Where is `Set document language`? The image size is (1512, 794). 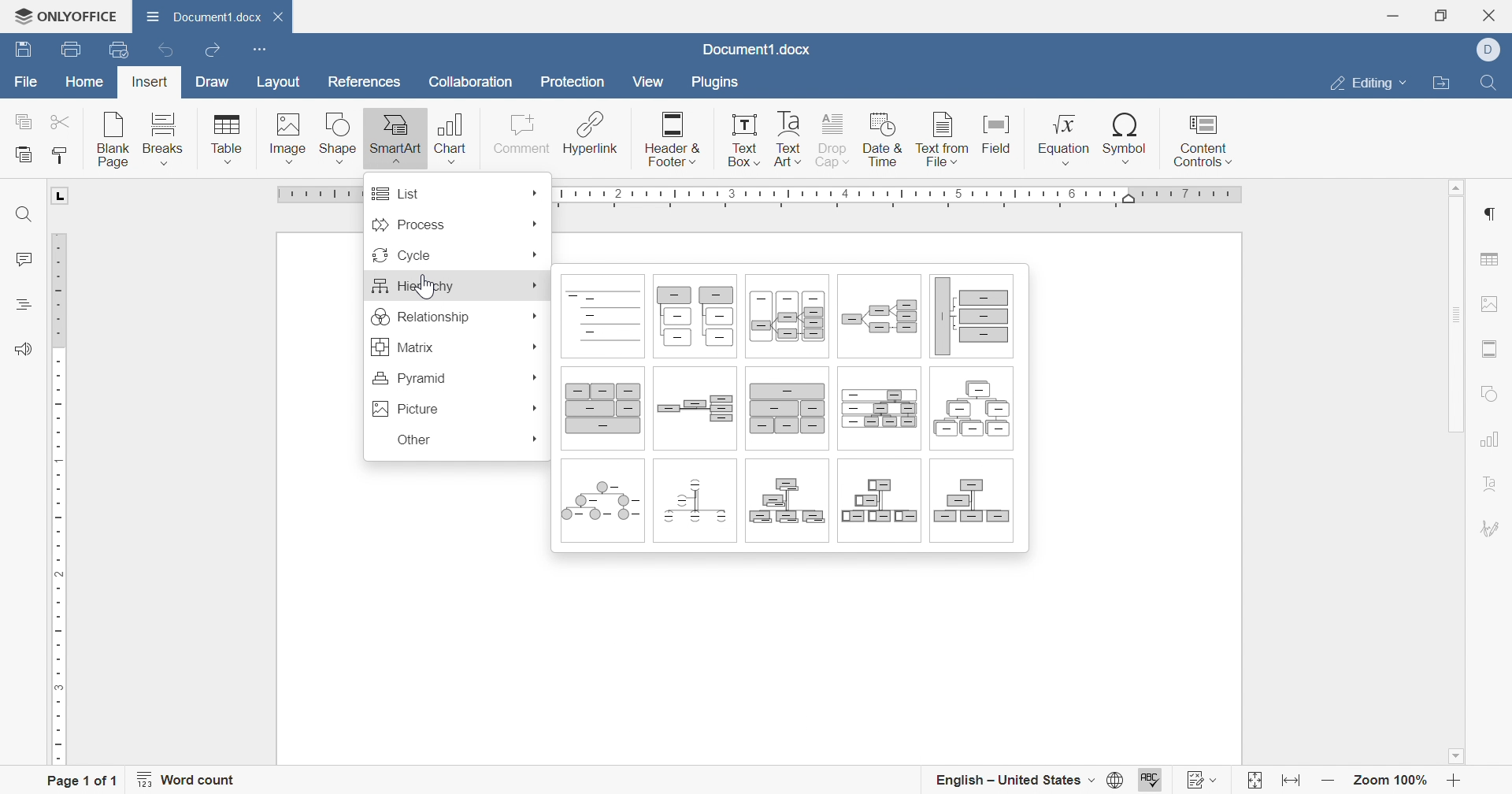 Set document language is located at coordinates (1116, 779).